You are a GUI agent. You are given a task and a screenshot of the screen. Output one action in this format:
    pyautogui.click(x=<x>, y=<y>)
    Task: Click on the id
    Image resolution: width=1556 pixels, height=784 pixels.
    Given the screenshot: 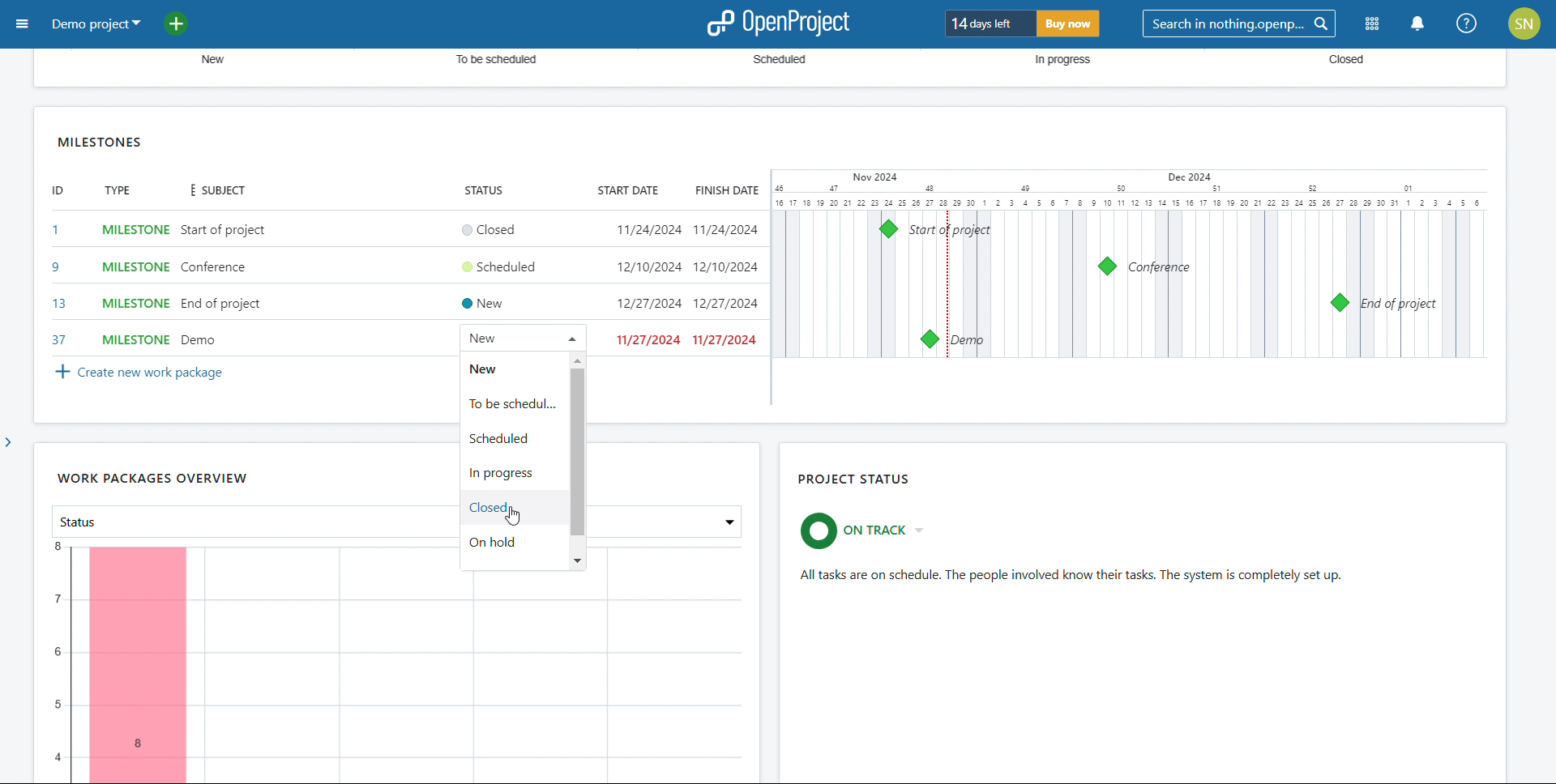 What is the action you would take?
    pyautogui.click(x=56, y=191)
    